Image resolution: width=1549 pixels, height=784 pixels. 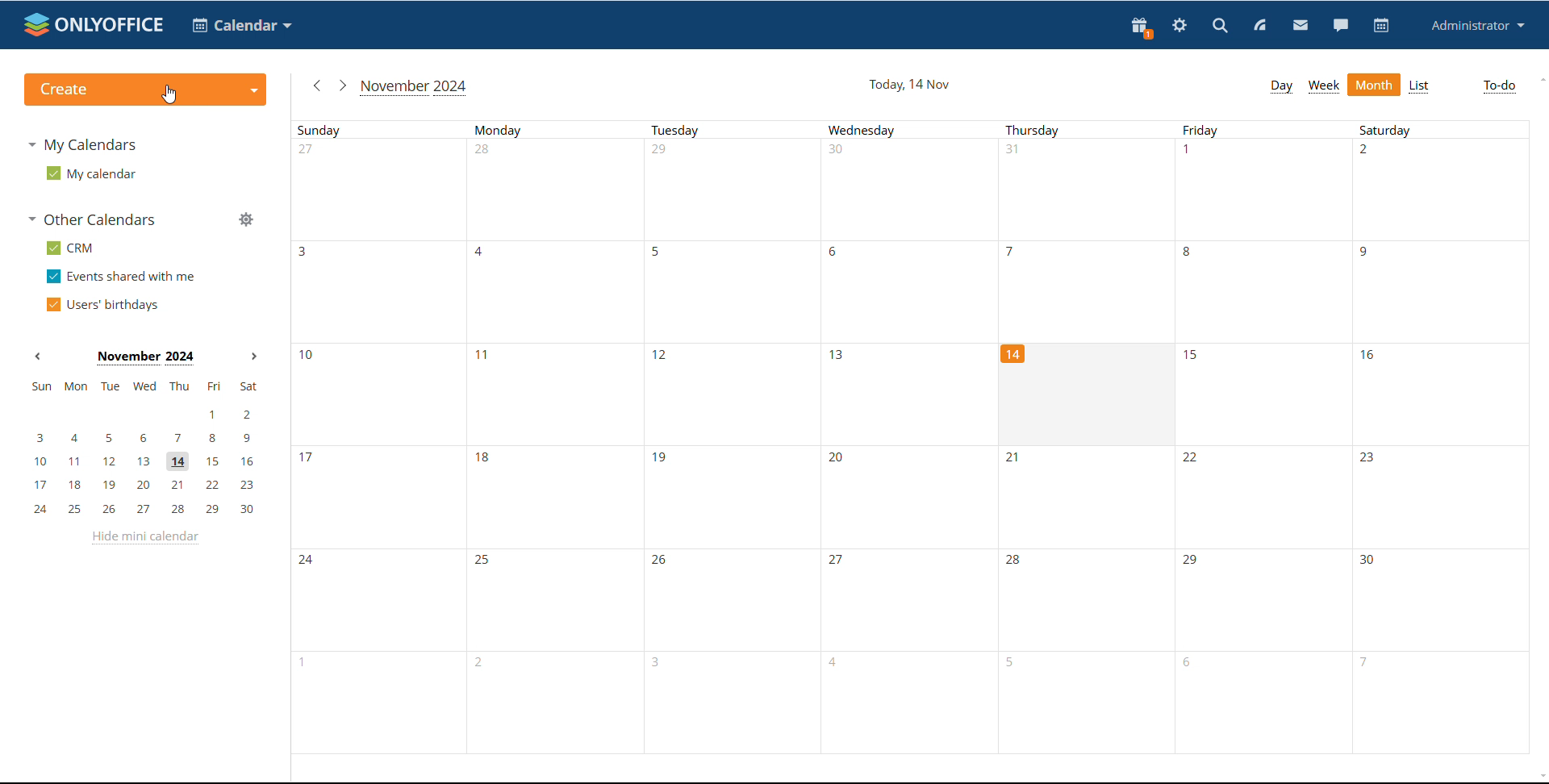 I want to click on previous month, so click(x=315, y=85).